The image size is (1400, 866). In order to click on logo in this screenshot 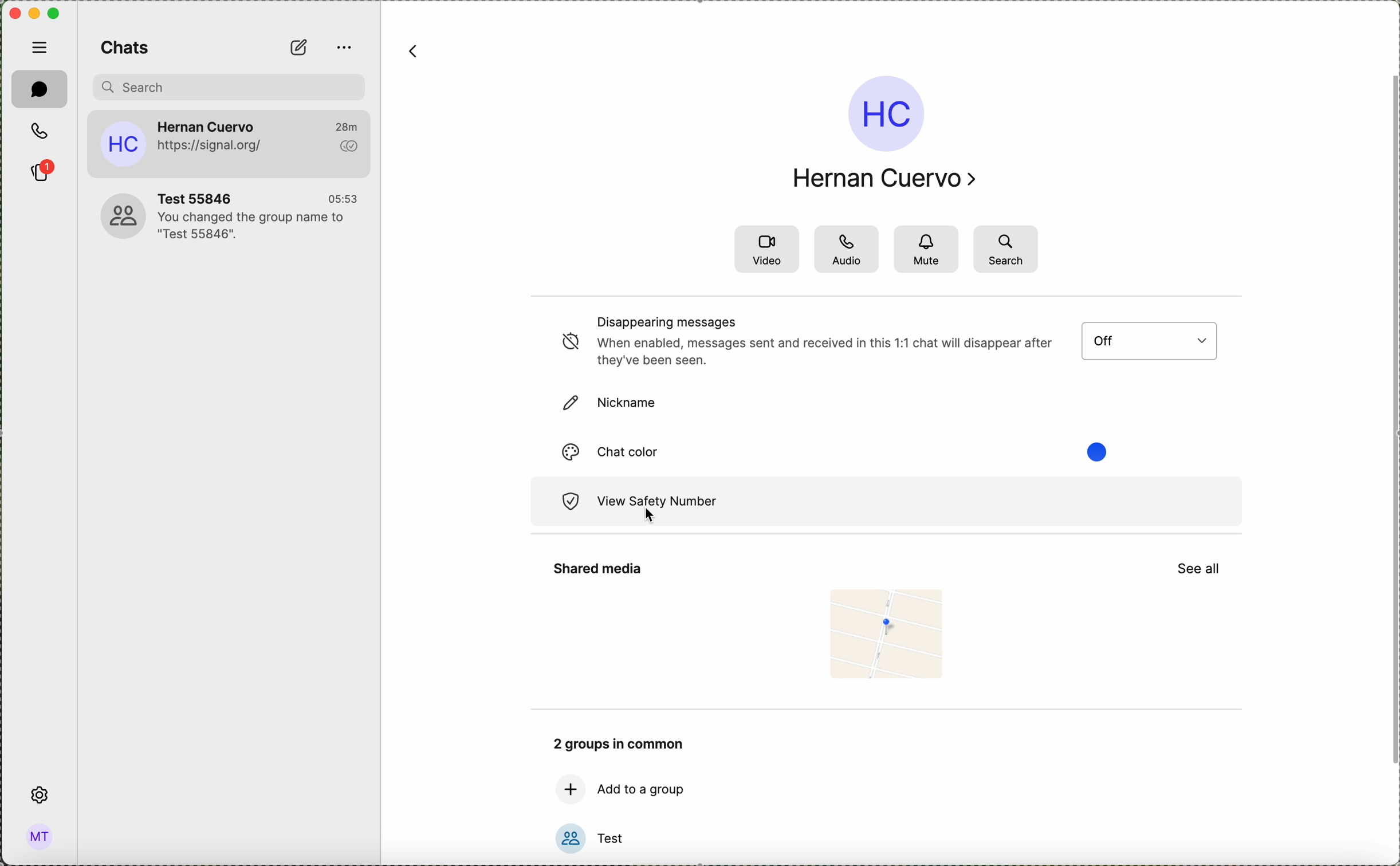, I will do `click(567, 343)`.